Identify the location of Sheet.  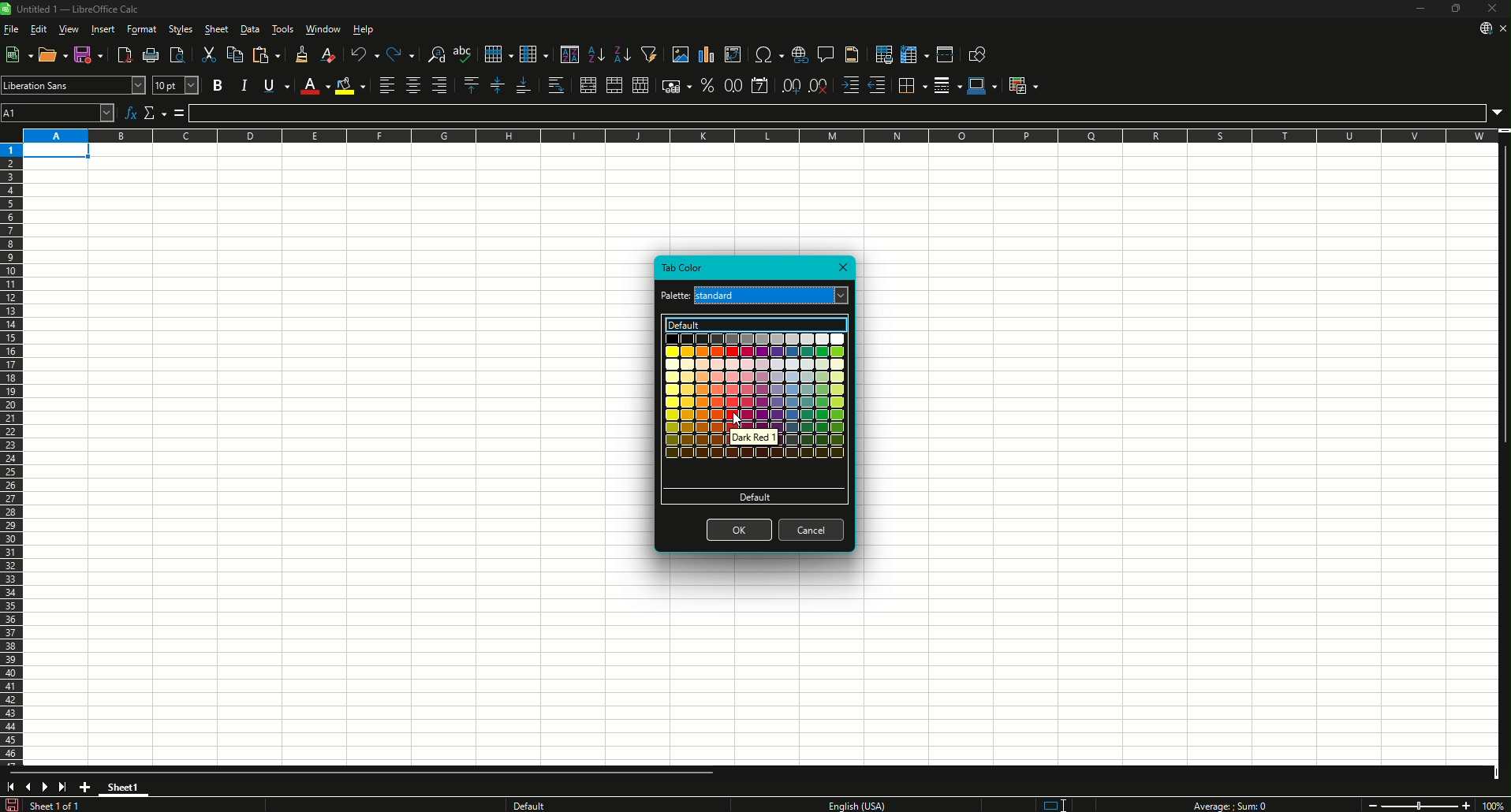
(218, 28).